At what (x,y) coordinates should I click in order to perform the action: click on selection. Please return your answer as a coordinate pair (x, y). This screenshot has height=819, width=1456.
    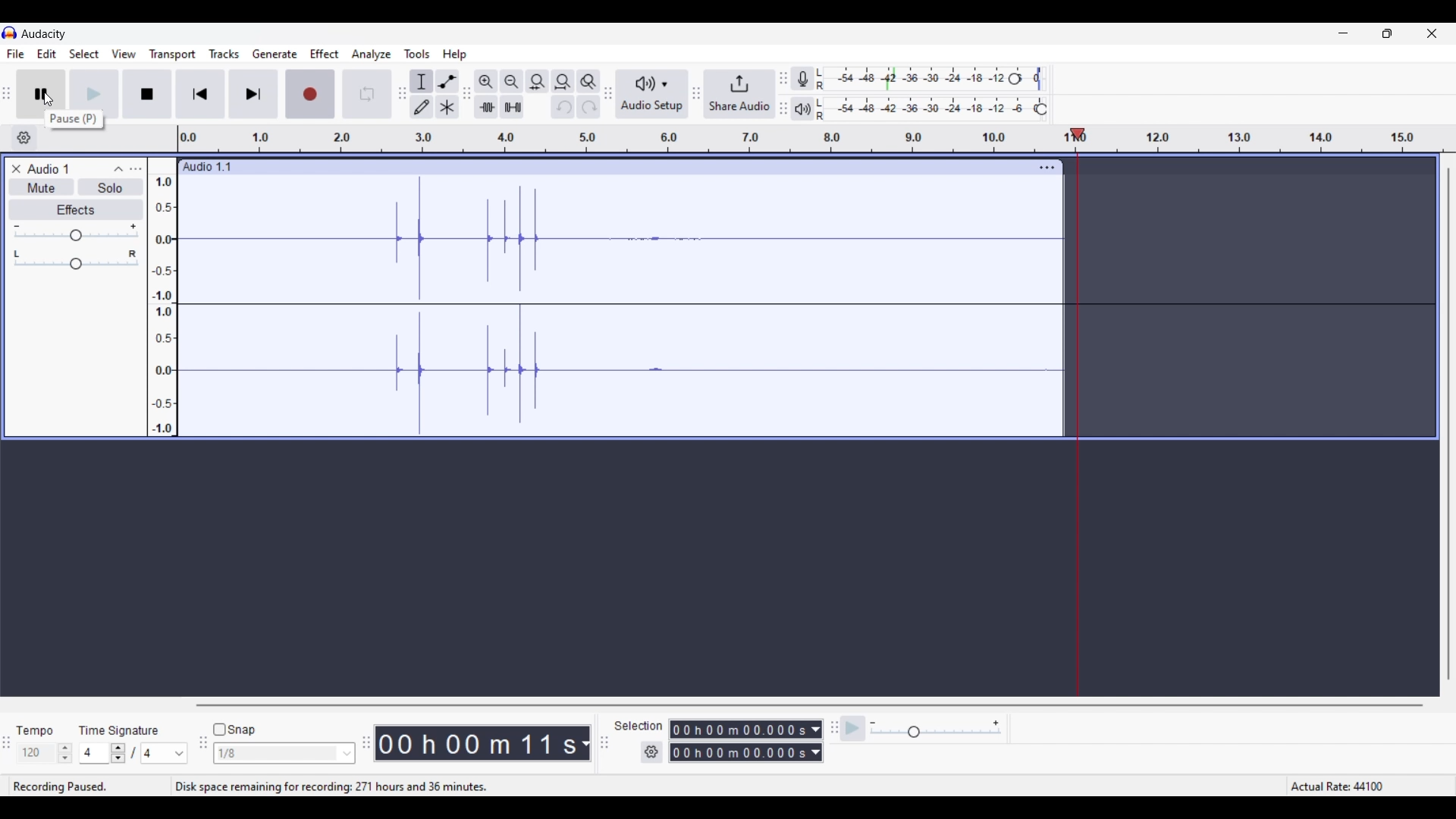
    Looking at the image, I should click on (641, 726).